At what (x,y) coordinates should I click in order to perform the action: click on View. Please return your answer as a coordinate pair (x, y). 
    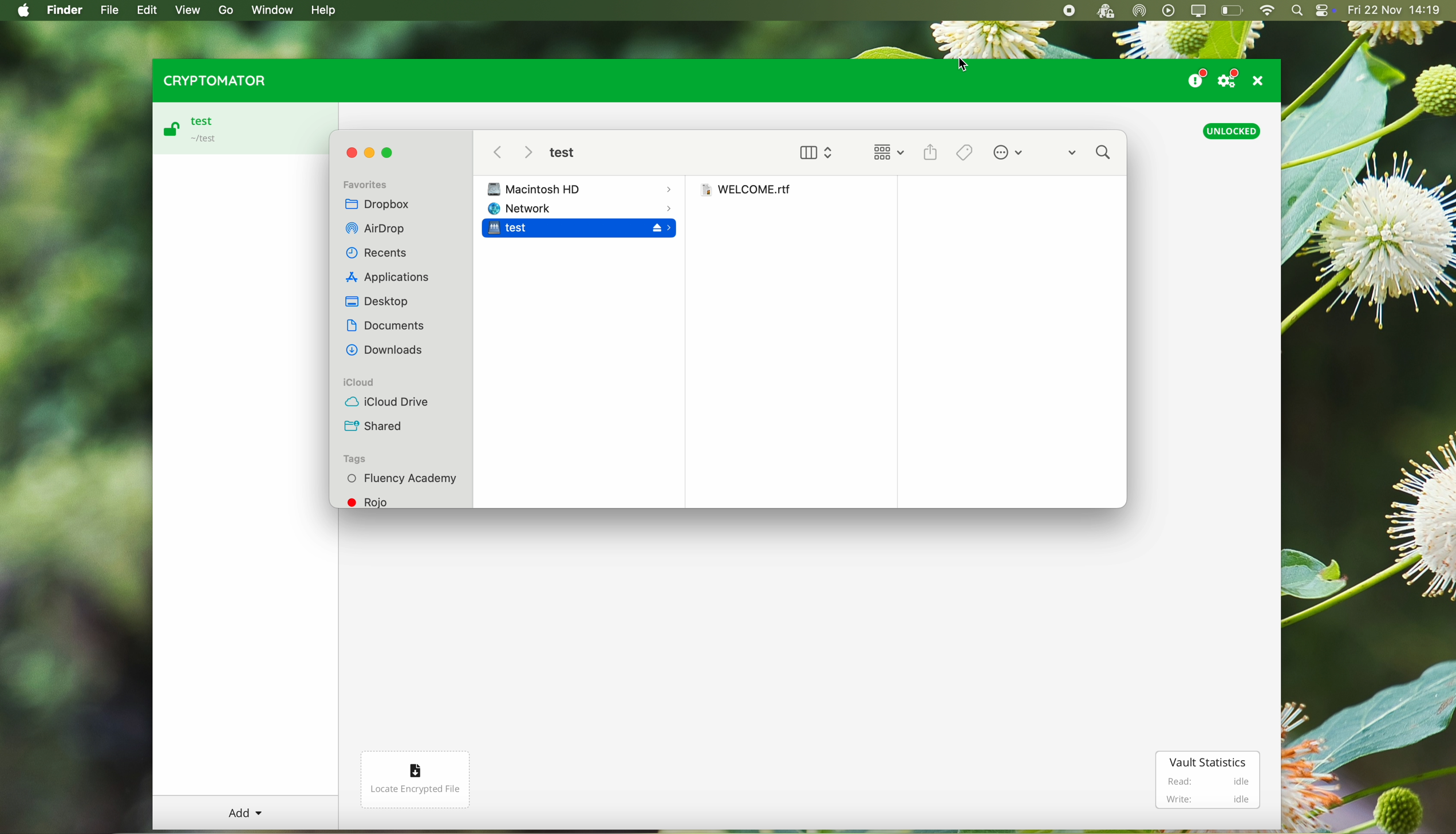
    Looking at the image, I should click on (190, 10).